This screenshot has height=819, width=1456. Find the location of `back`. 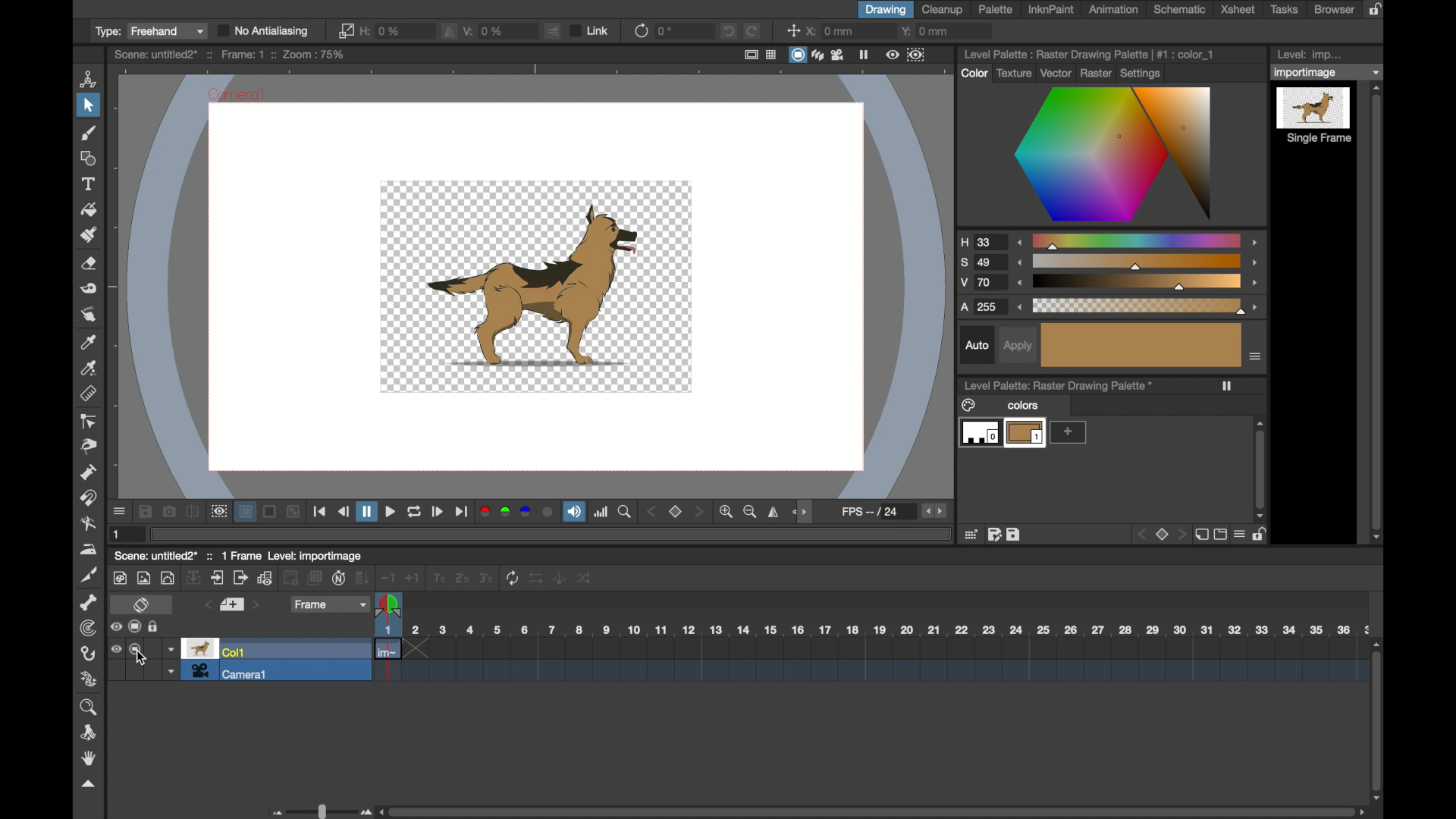

back is located at coordinates (652, 512).